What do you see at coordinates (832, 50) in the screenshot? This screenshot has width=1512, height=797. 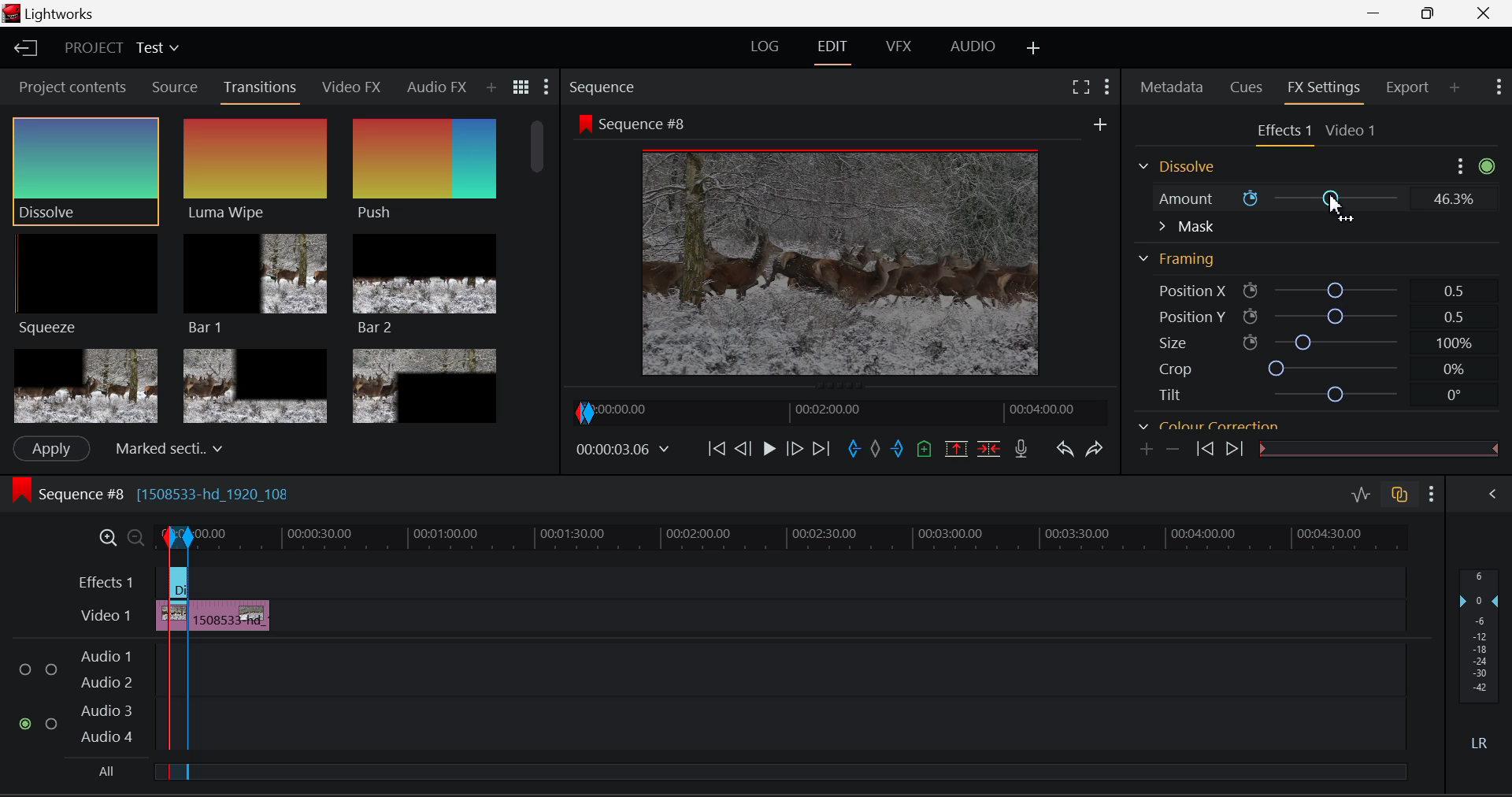 I see `EDIT Layout Open` at bounding box center [832, 50].